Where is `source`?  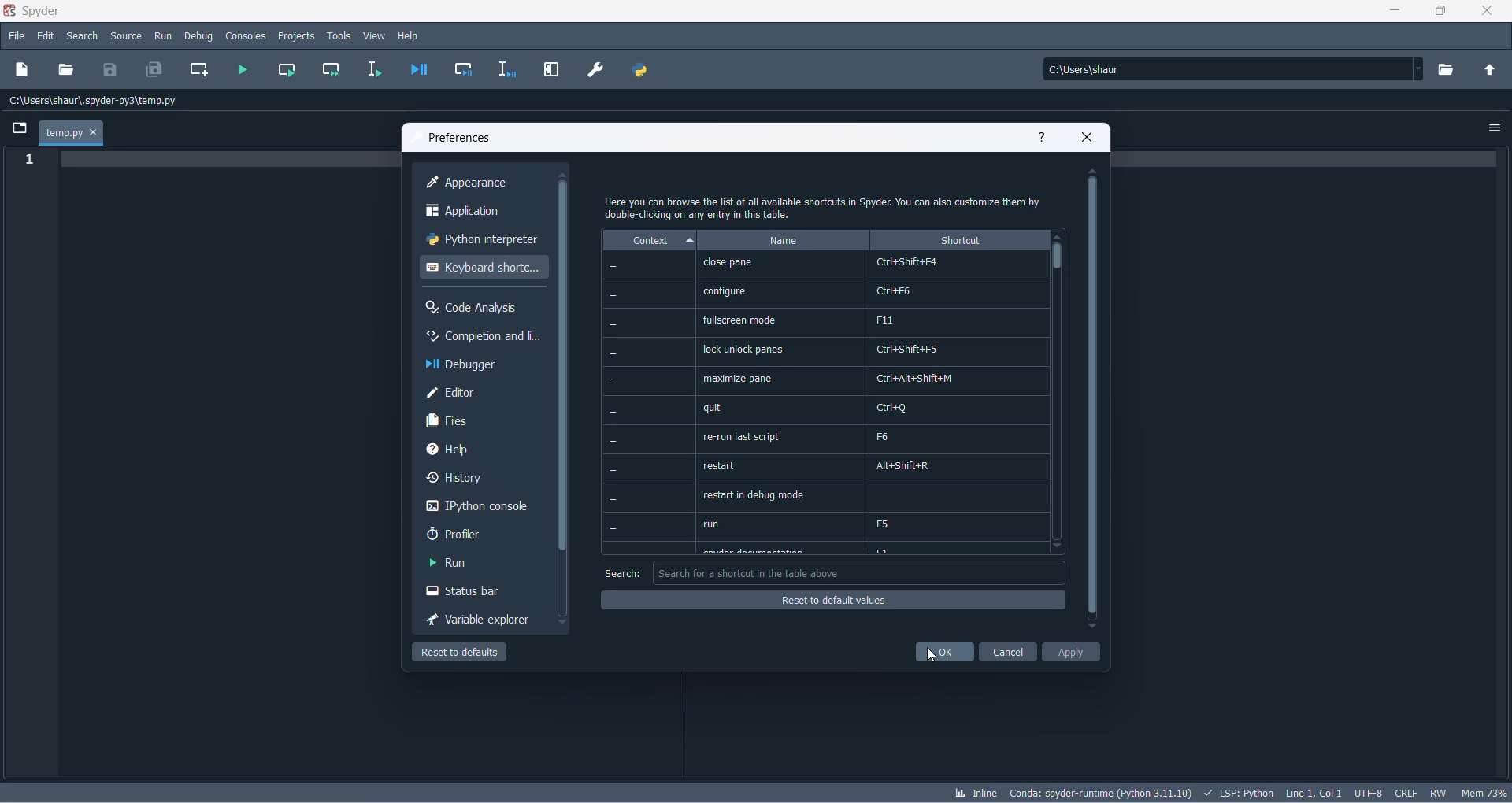 source is located at coordinates (124, 36).